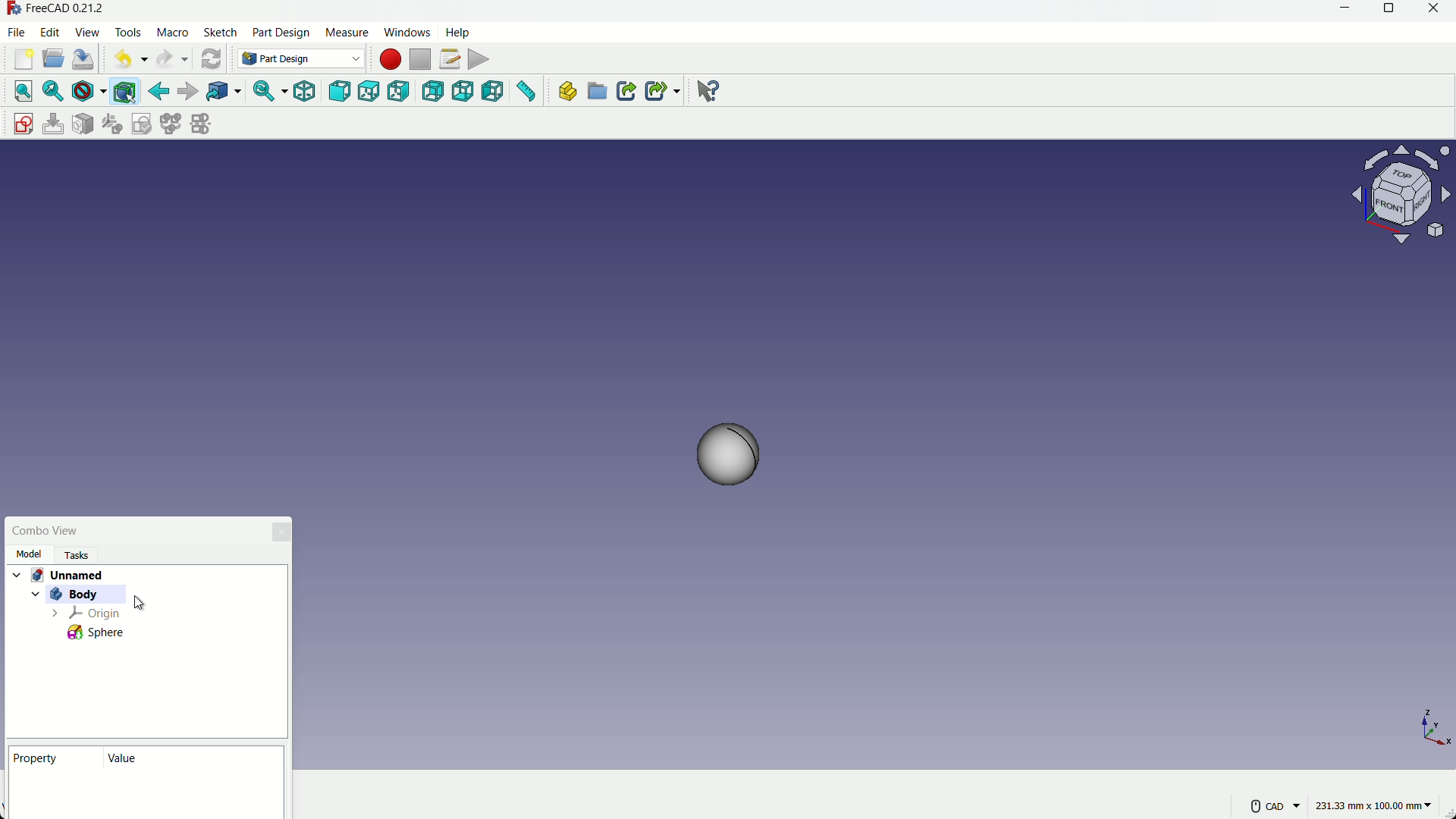 The image size is (1456, 819). What do you see at coordinates (663, 91) in the screenshot?
I see `create sub link` at bounding box center [663, 91].